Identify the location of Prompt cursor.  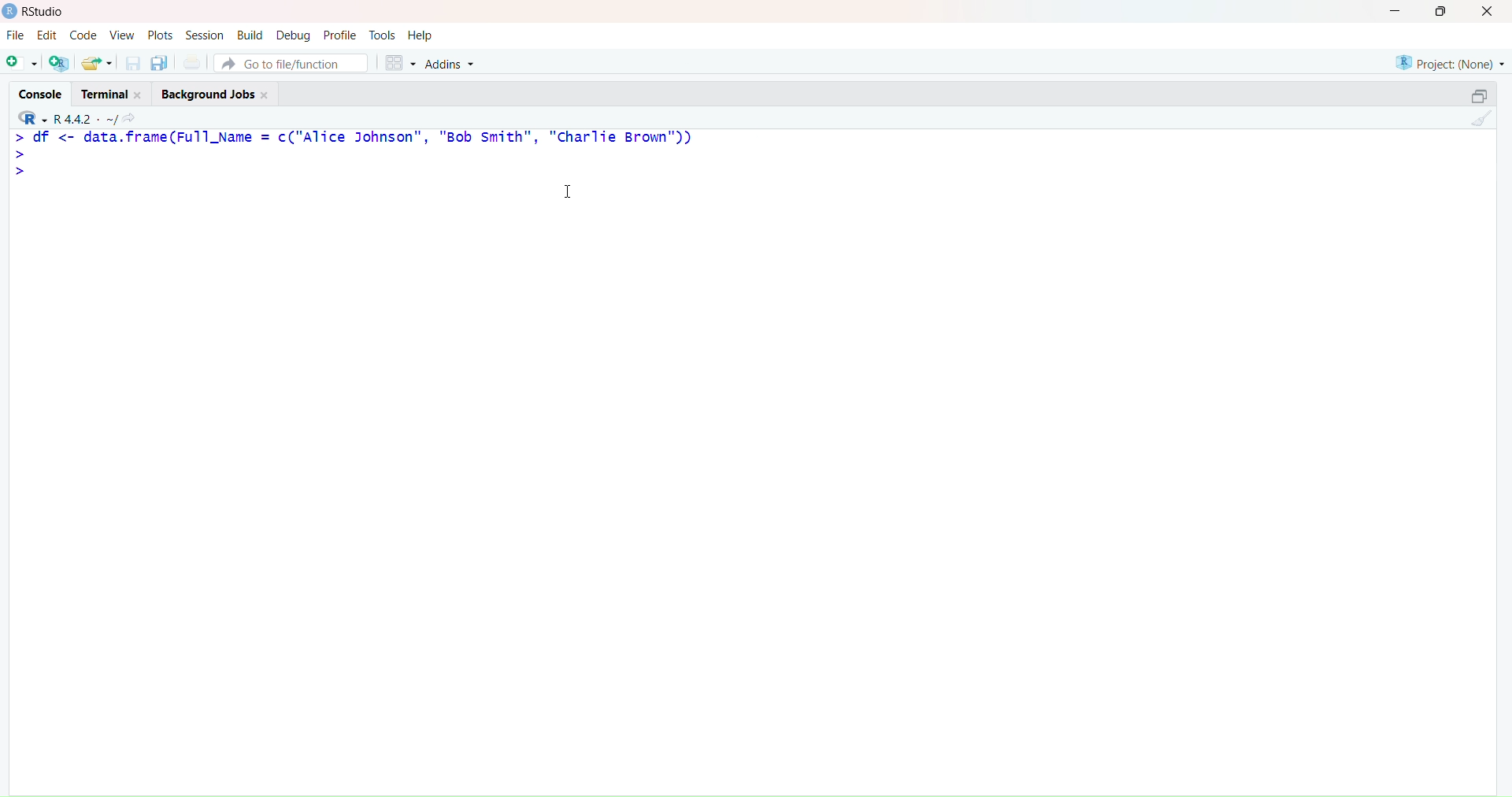
(22, 156).